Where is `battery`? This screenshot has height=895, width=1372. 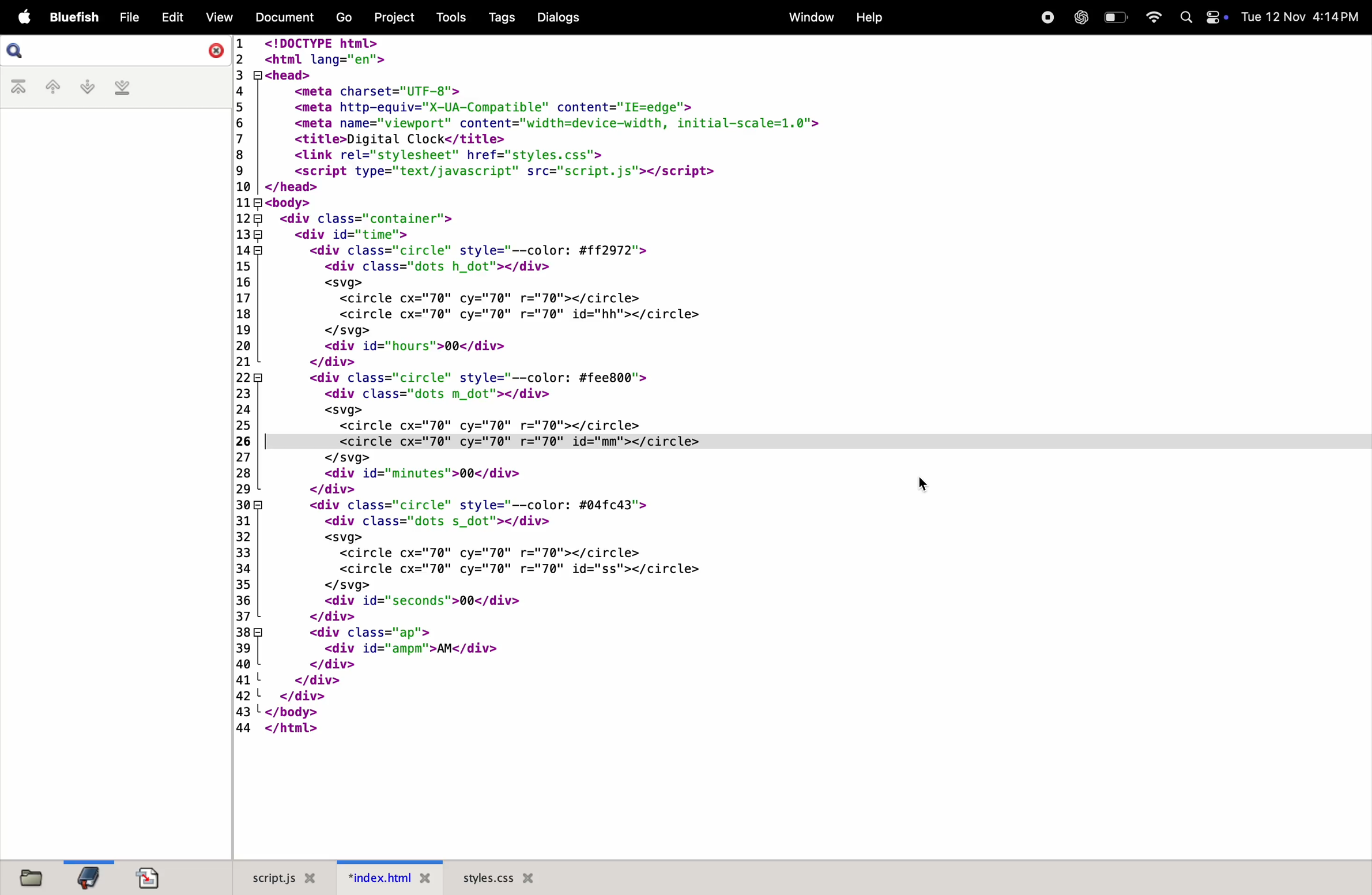 battery is located at coordinates (1116, 16).